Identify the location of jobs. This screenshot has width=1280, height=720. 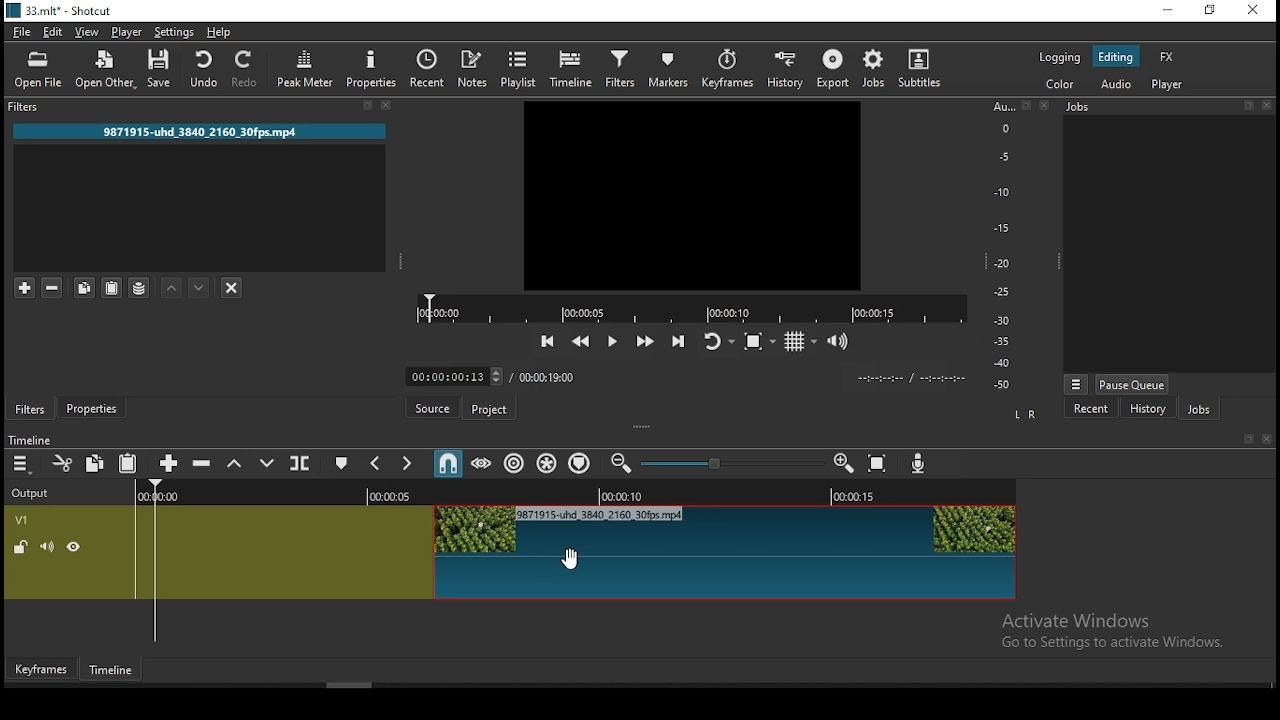
(877, 68).